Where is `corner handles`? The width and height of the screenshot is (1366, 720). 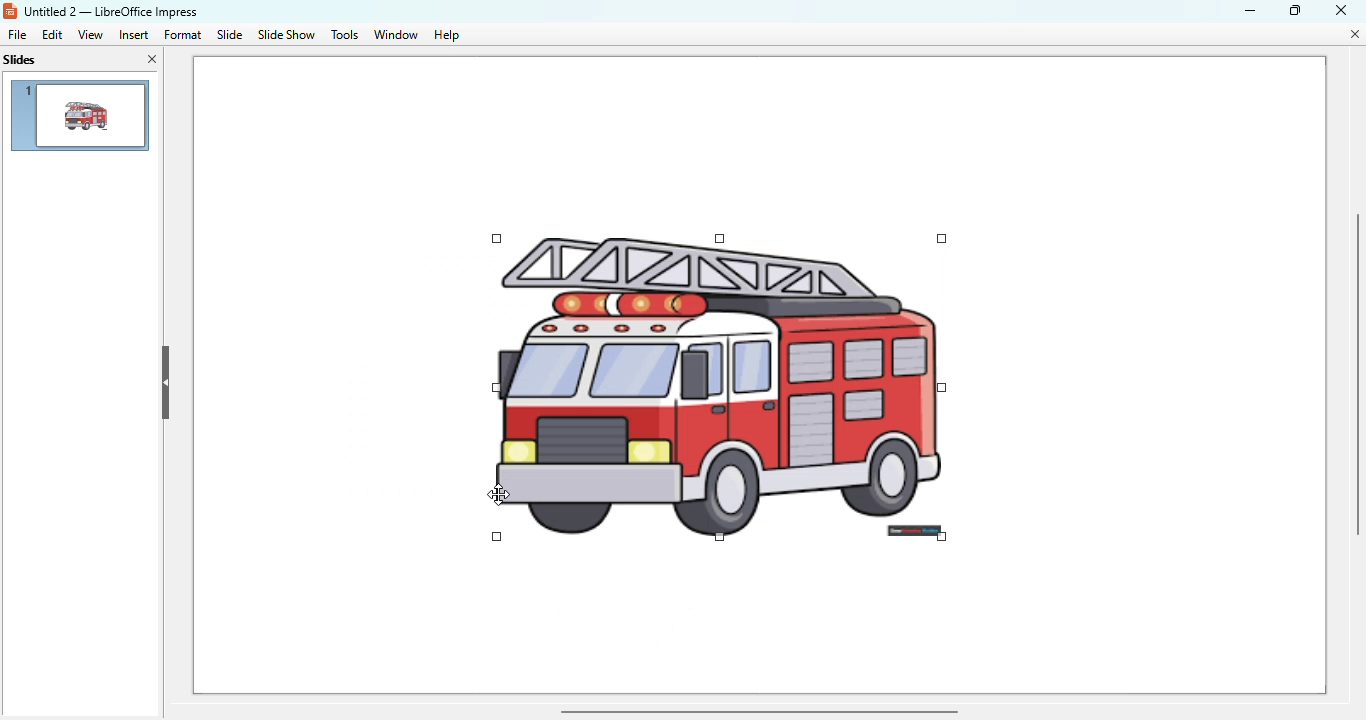 corner handles is located at coordinates (943, 451).